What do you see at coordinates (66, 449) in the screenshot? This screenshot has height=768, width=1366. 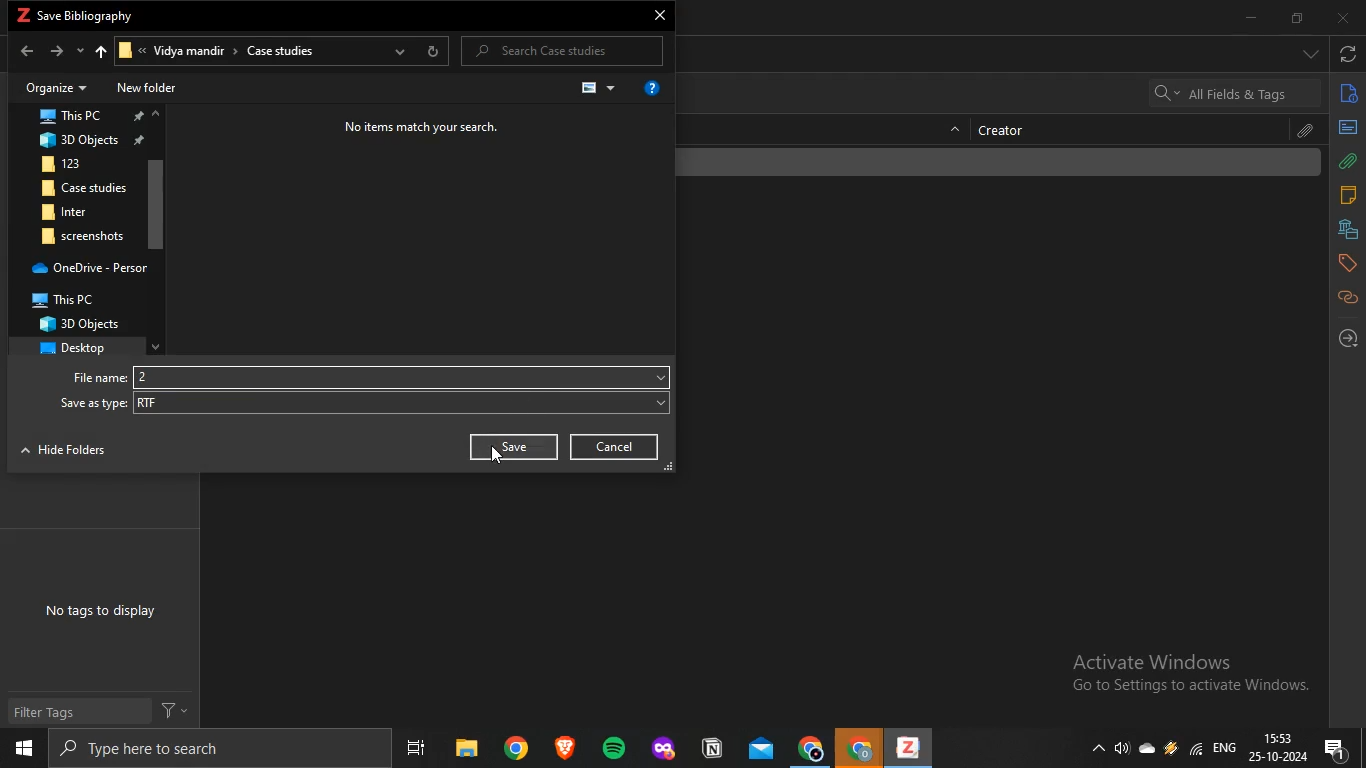 I see `NTT` at bounding box center [66, 449].